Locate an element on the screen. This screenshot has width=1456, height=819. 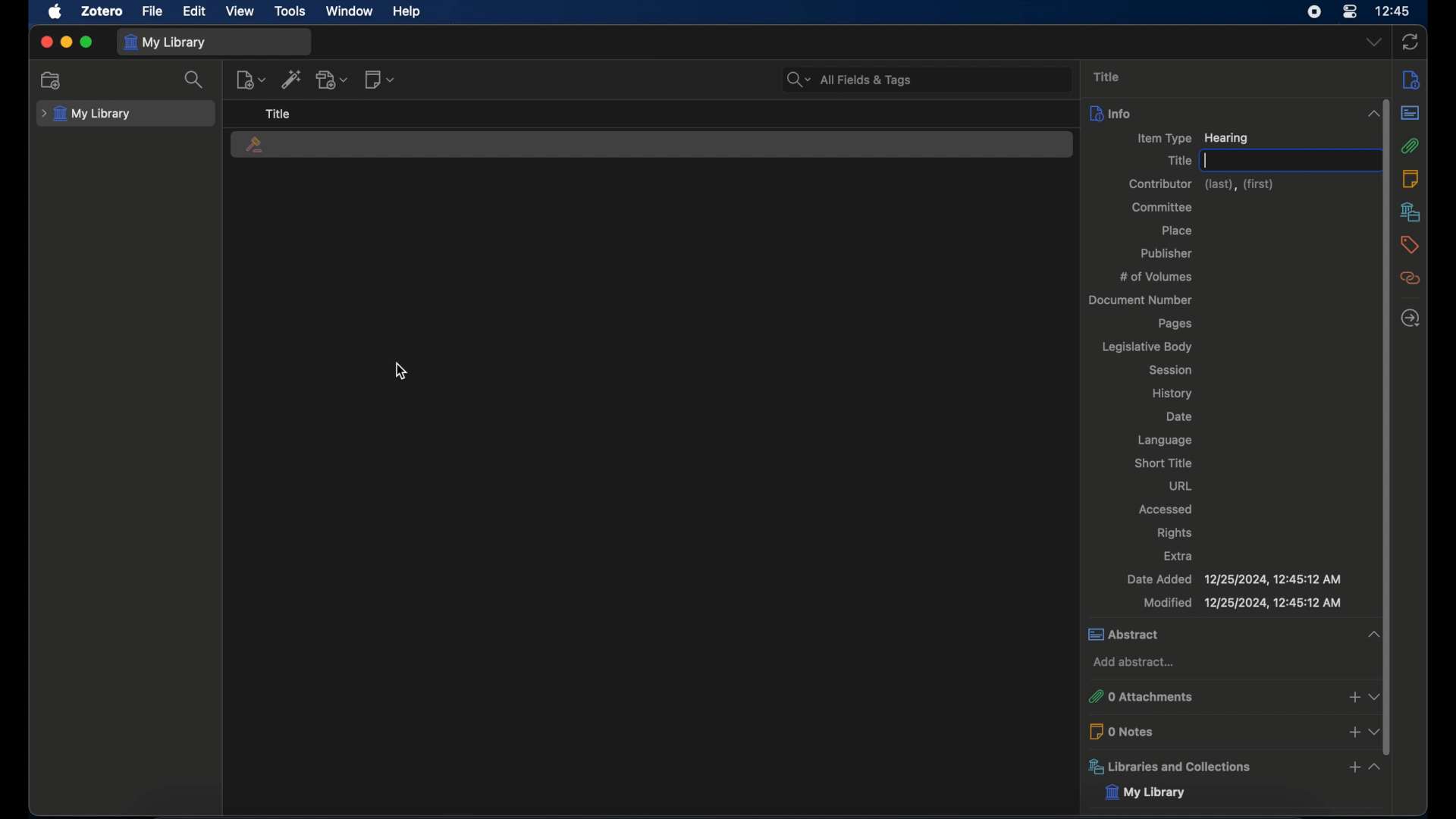
cursor is located at coordinates (400, 372).